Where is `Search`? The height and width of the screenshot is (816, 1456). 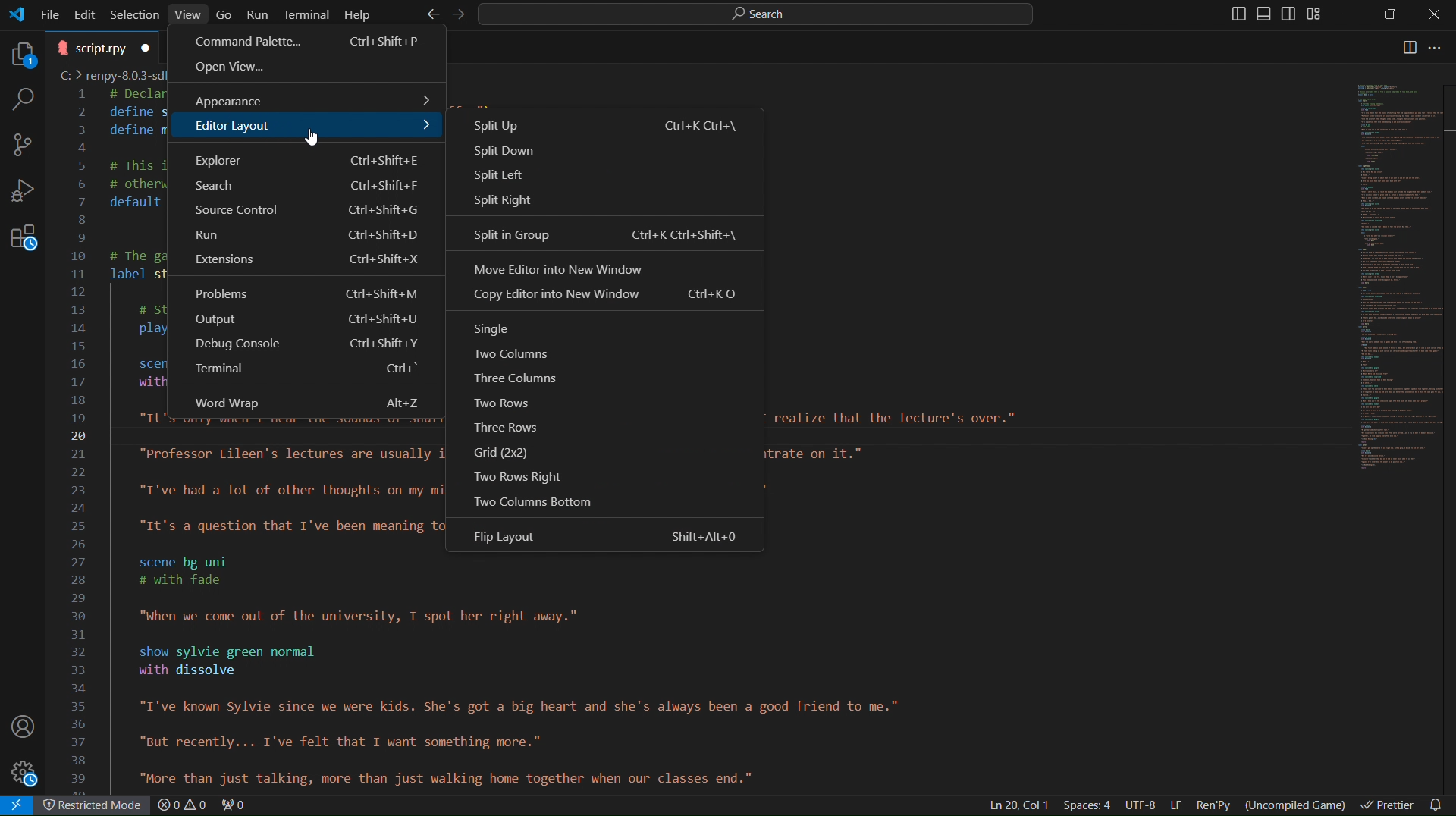
Search is located at coordinates (20, 99).